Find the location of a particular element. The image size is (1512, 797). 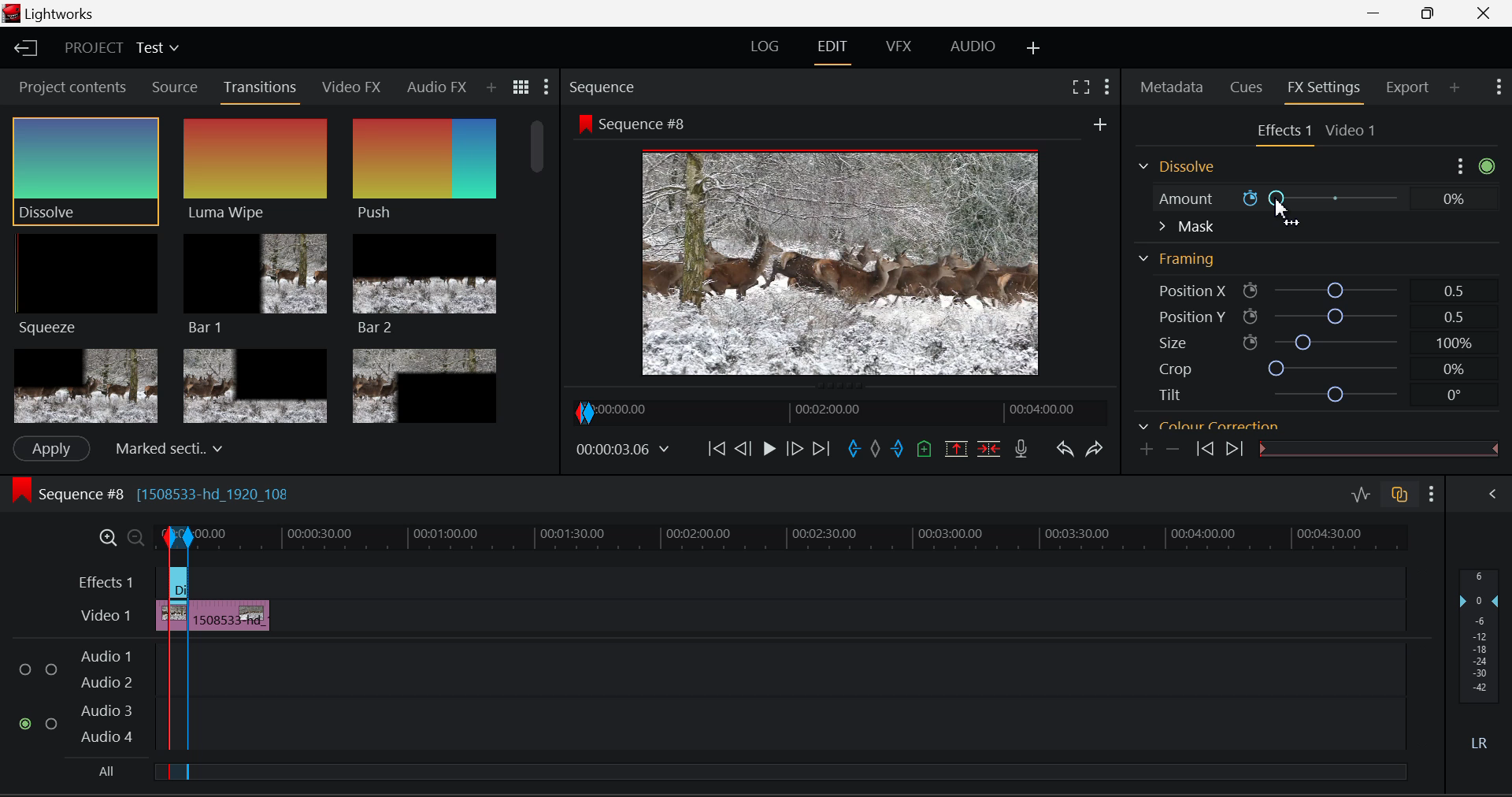

To start is located at coordinates (717, 450).